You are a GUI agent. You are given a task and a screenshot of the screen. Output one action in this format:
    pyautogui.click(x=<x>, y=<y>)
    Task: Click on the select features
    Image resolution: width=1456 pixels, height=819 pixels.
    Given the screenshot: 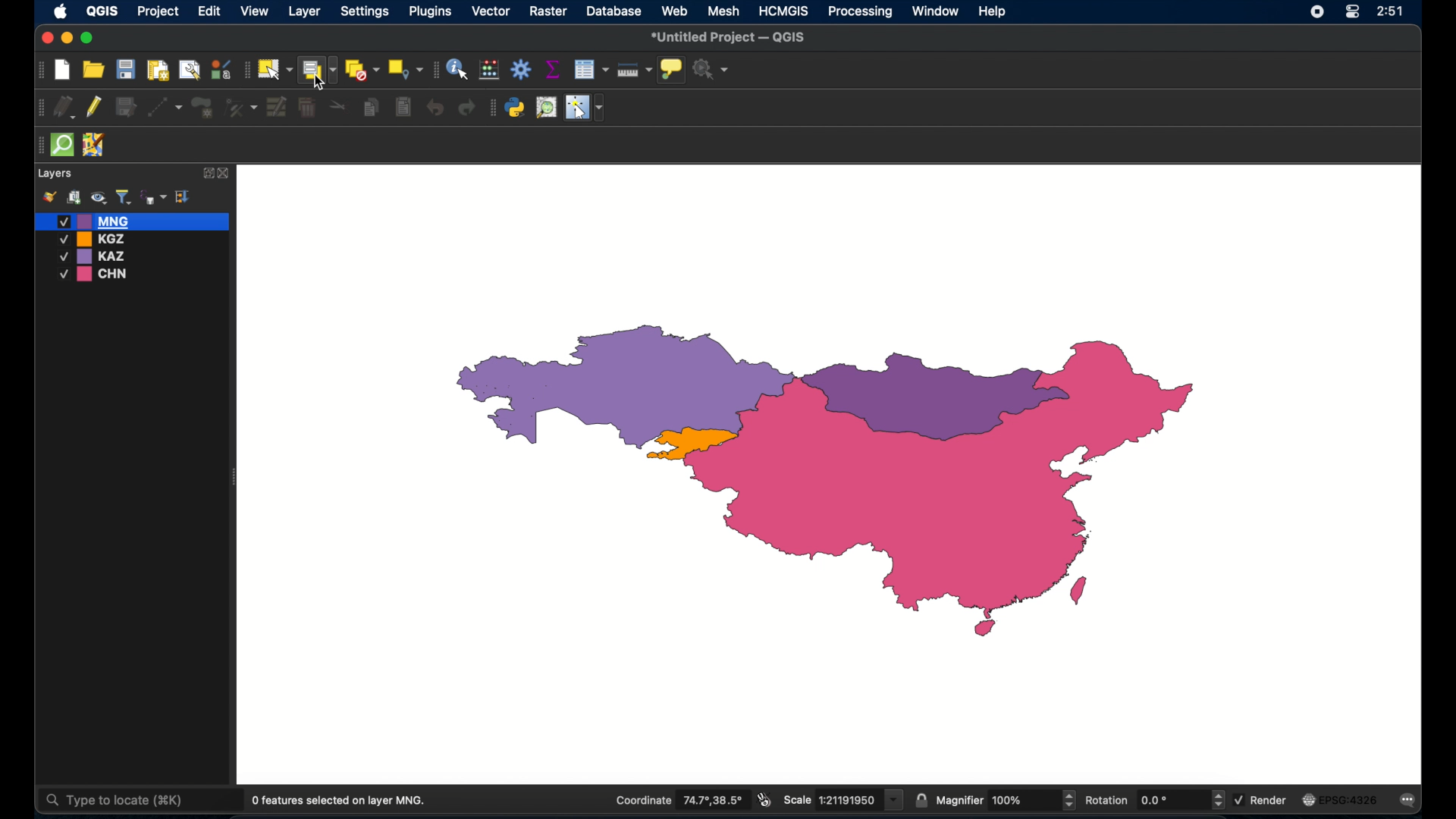 What is the action you would take?
    pyautogui.click(x=275, y=69)
    